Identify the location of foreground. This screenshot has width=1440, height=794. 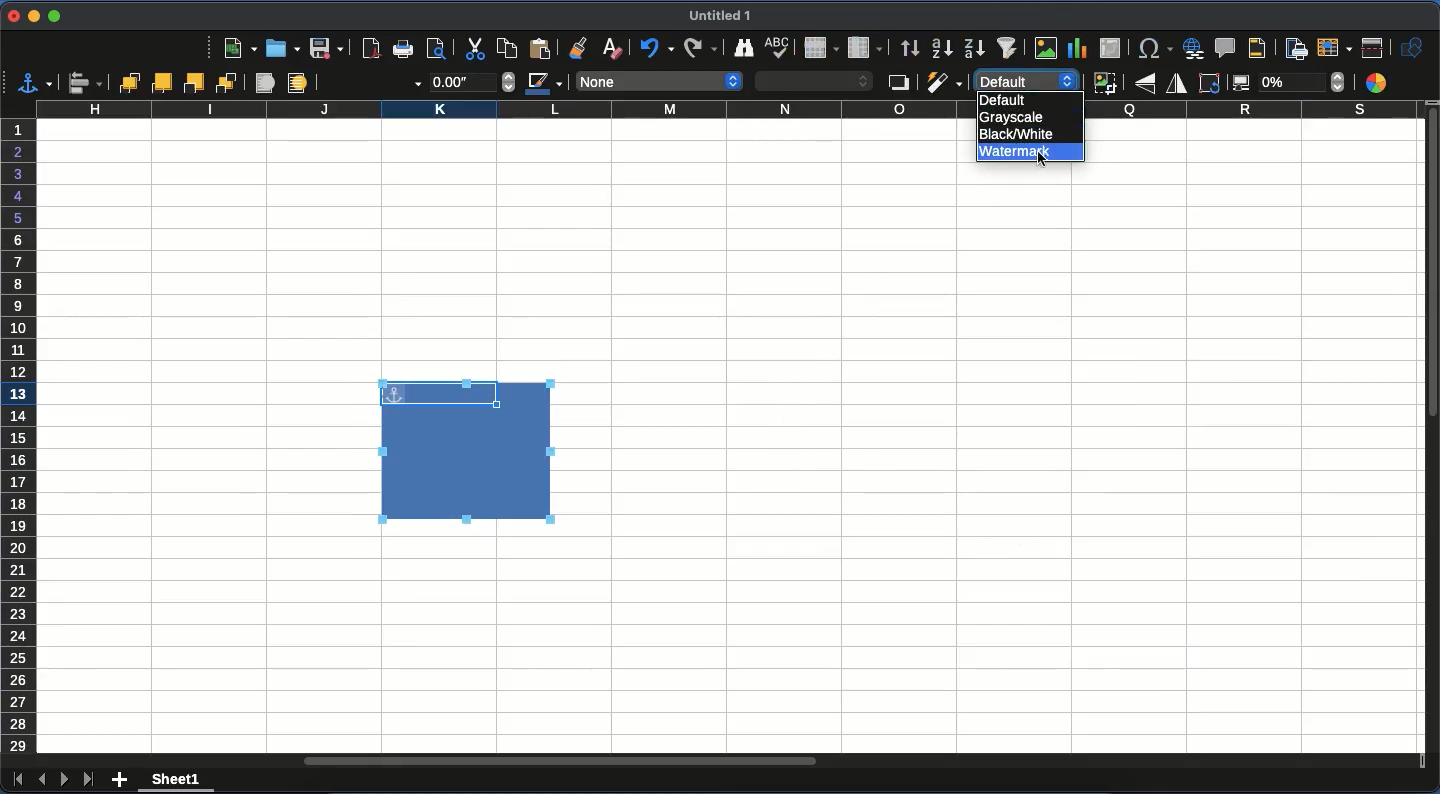
(263, 84).